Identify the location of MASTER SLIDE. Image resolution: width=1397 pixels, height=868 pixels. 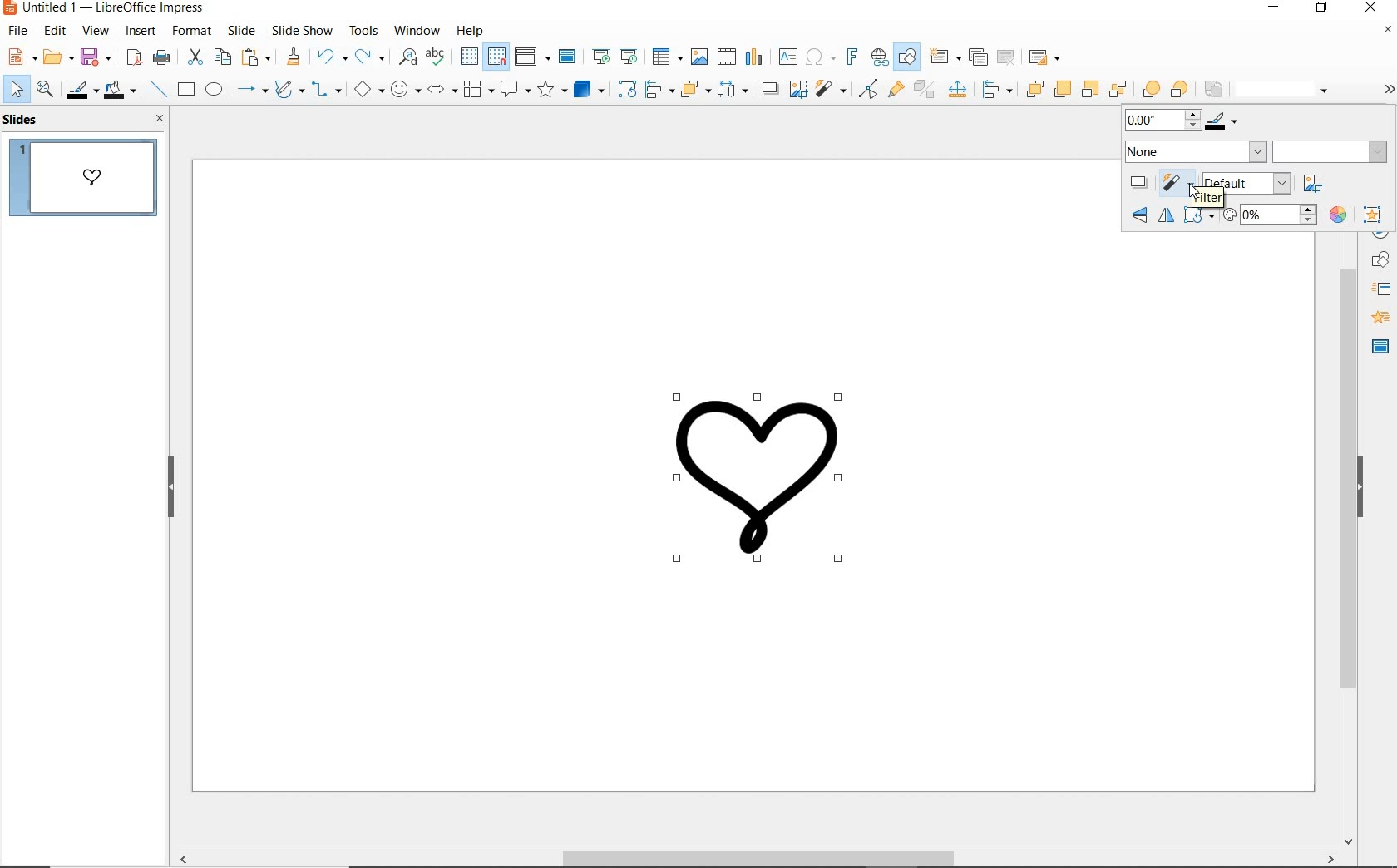
(1380, 348).